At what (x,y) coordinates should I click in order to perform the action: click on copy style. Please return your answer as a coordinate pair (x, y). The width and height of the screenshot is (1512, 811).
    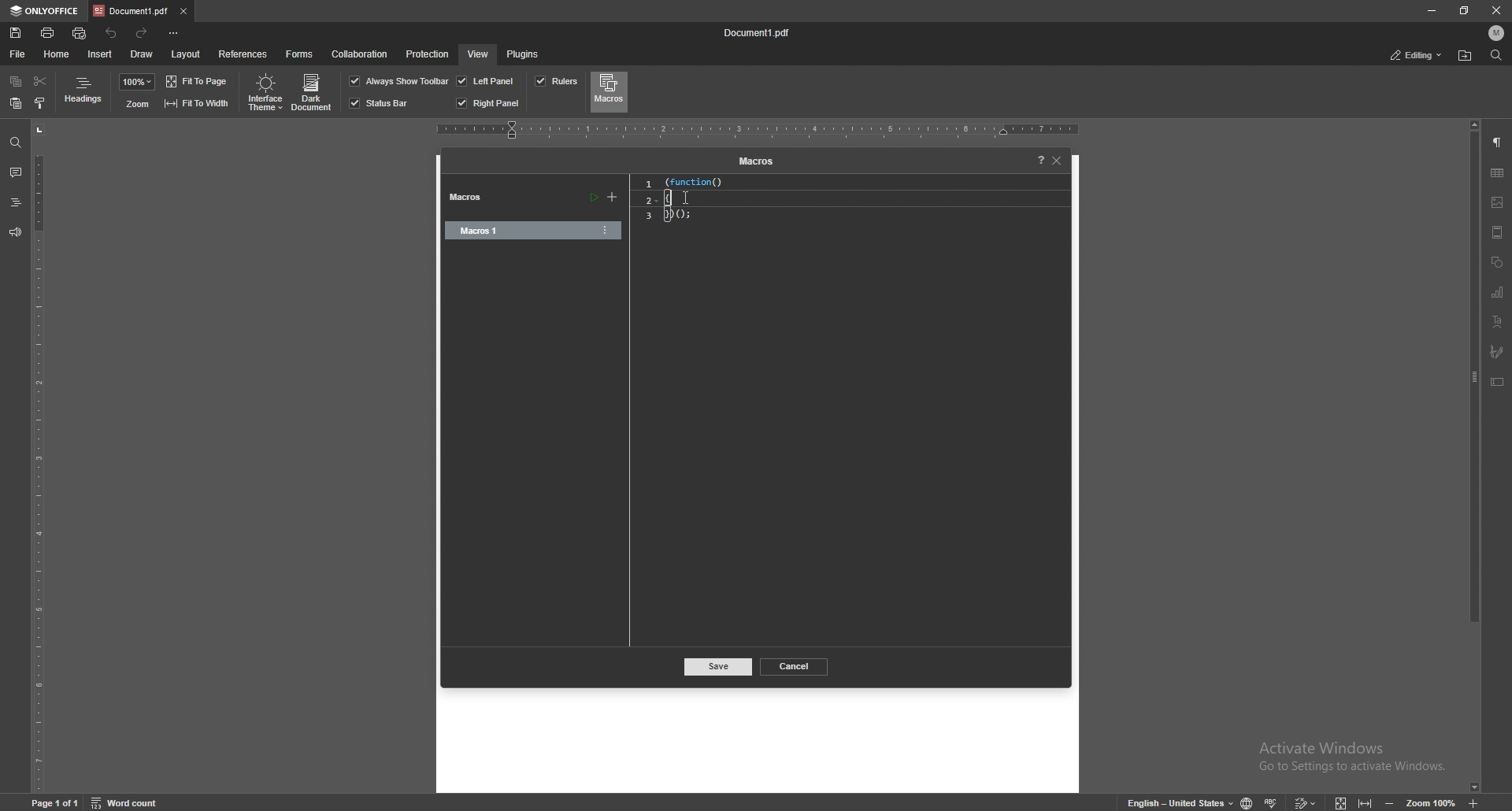
    Looking at the image, I should click on (40, 102).